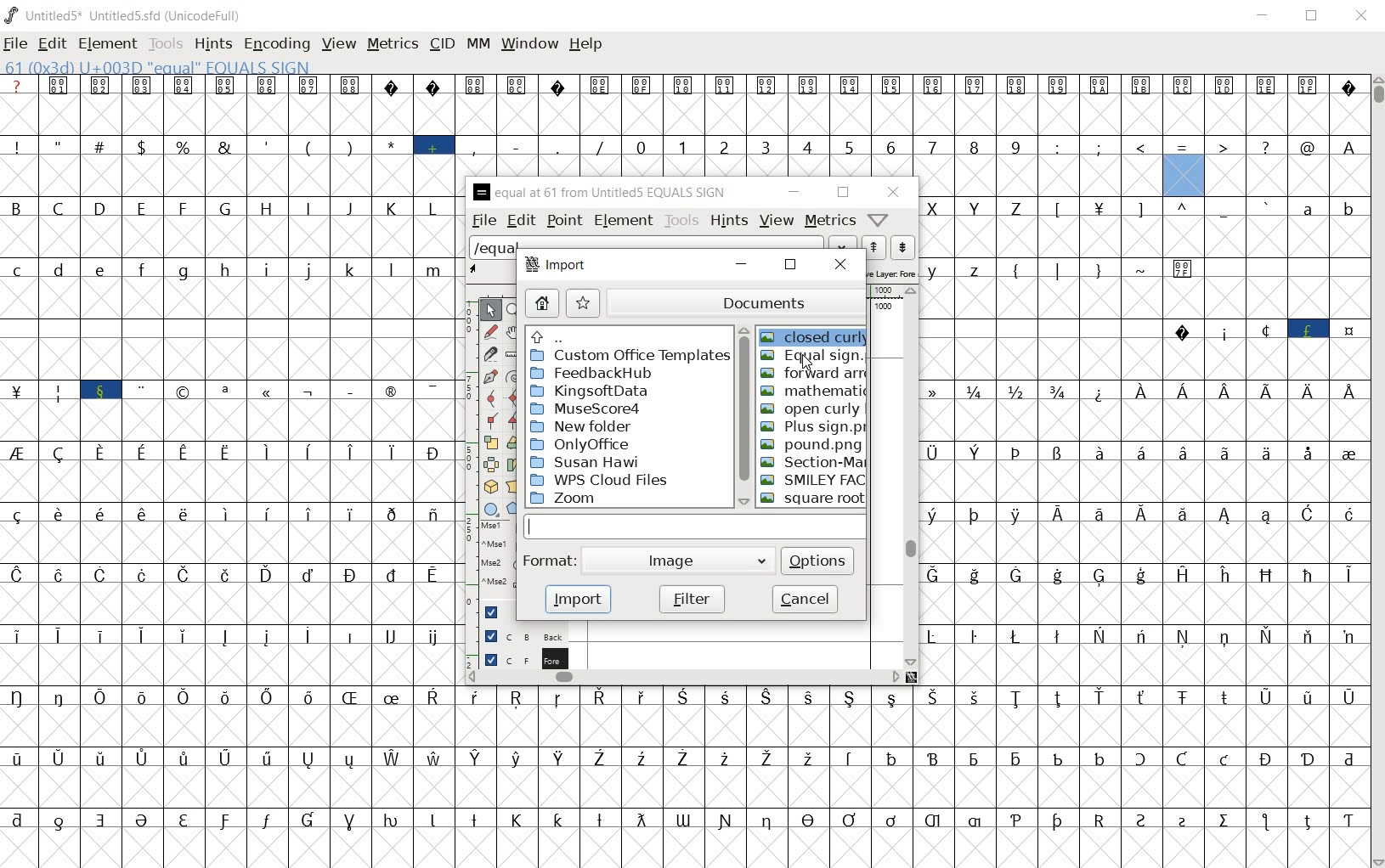 This screenshot has width=1385, height=868. What do you see at coordinates (814, 374) in the screenshot?
I see `FORWARD` at bounding box center [814, 374].